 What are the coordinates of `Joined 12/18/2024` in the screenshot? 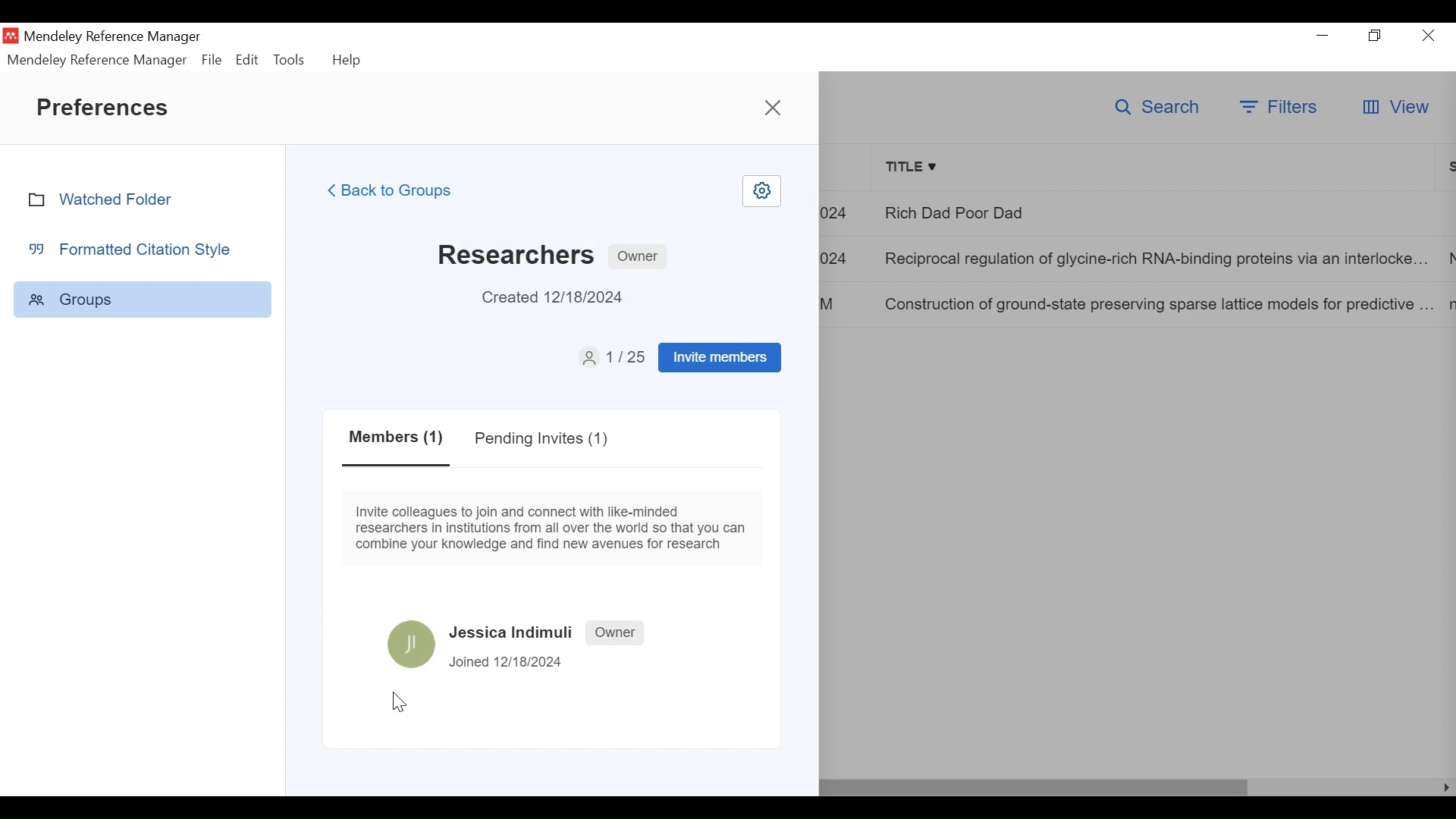 It's located at (509, 661).